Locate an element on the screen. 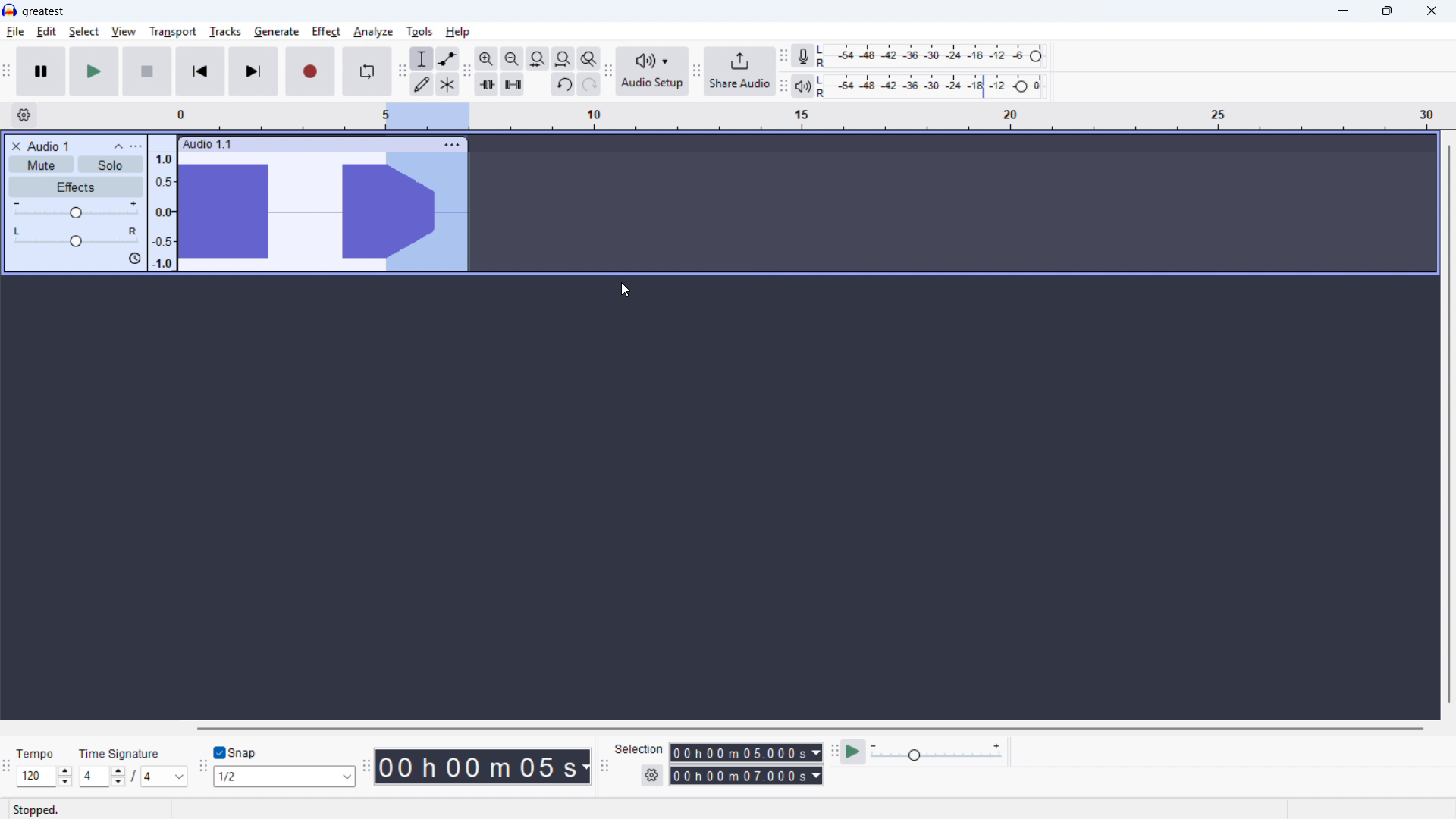 This screenshot has width=1456, height=819. Track control panel menu  is located at coordinates (136, 146).